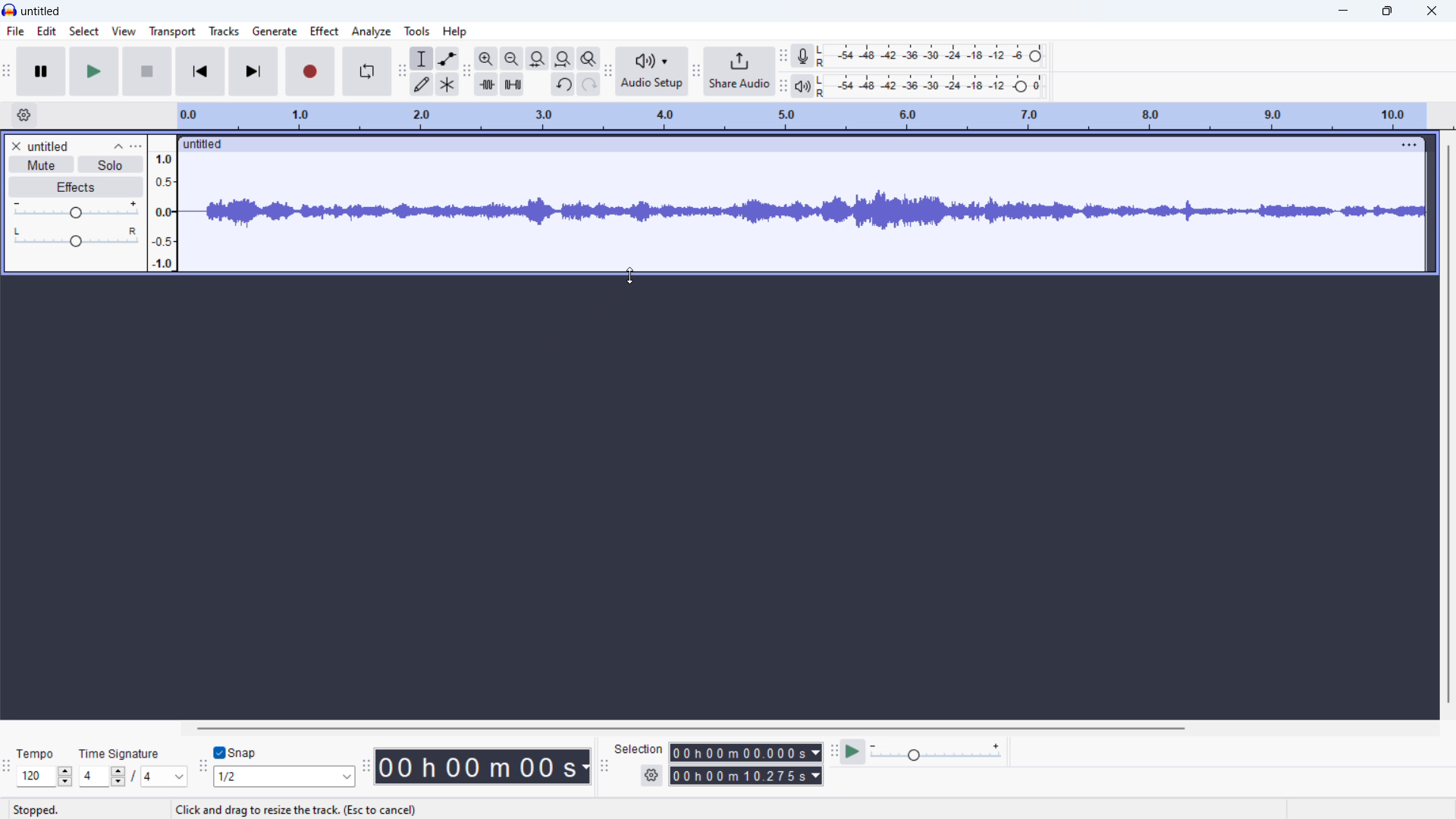 This screenshot has height=819, width=1456. I want to click on set snapping, so click(285, 777).